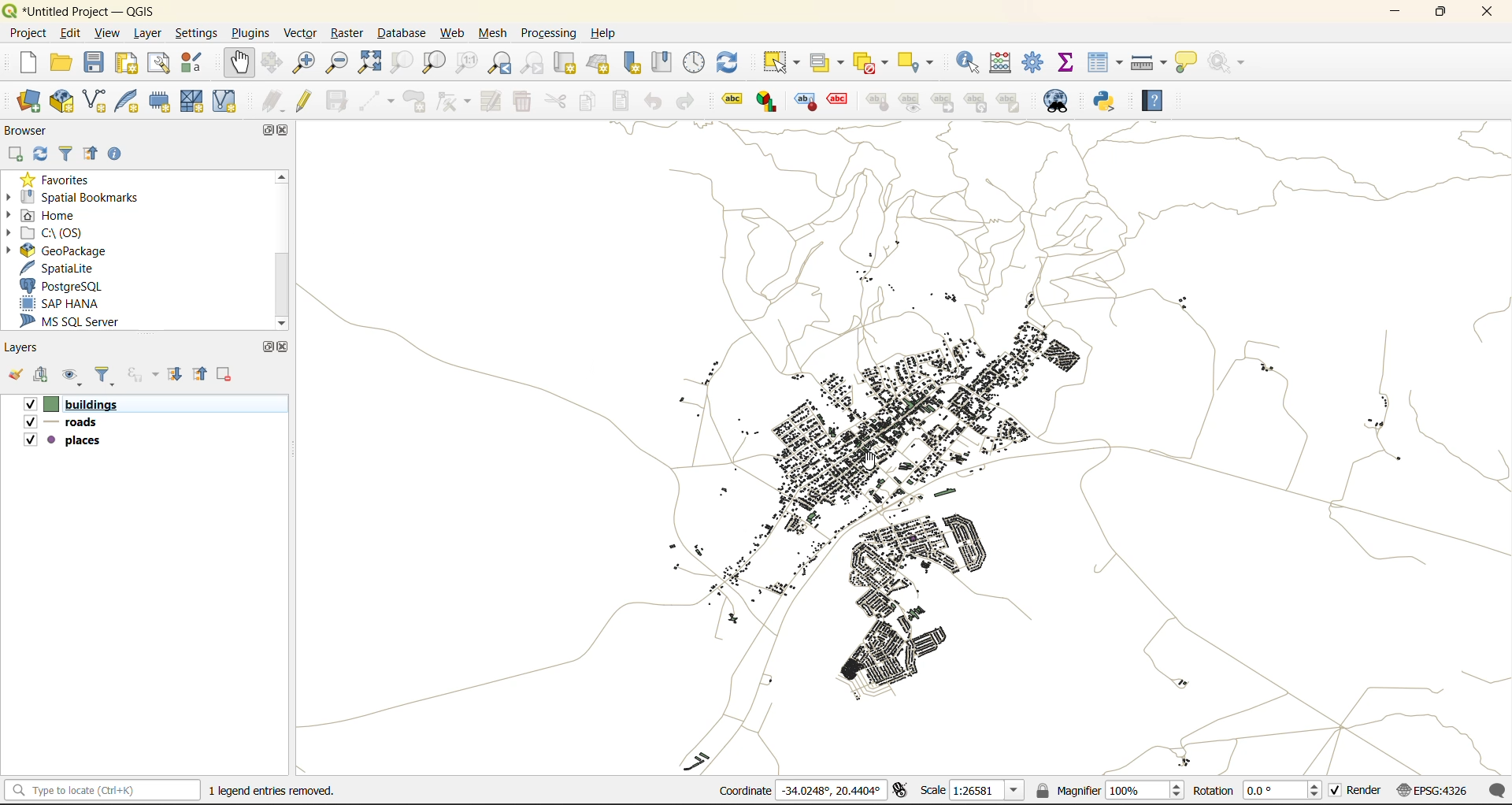 The height and width of the screenshot is (805, 1512). I want to click on temporary scratch layer, so click(160, 101).